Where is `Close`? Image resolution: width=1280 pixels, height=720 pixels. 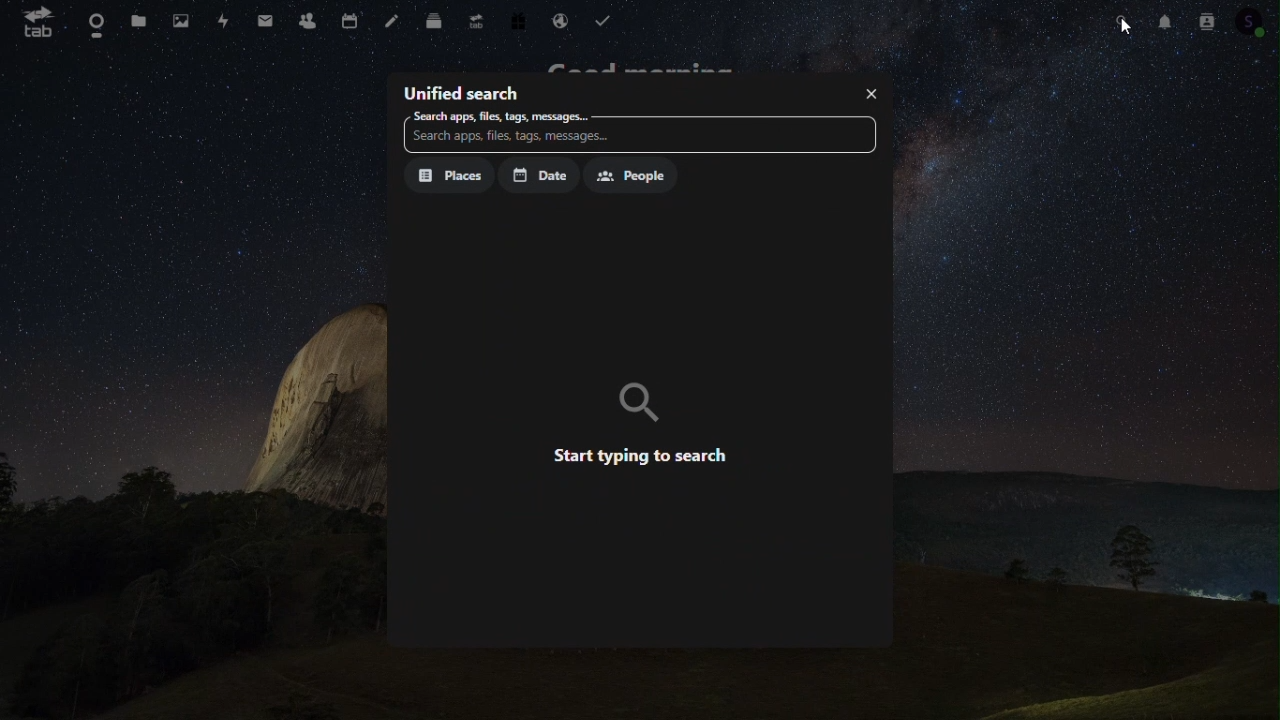 Close is located at coordinates (870, 91).